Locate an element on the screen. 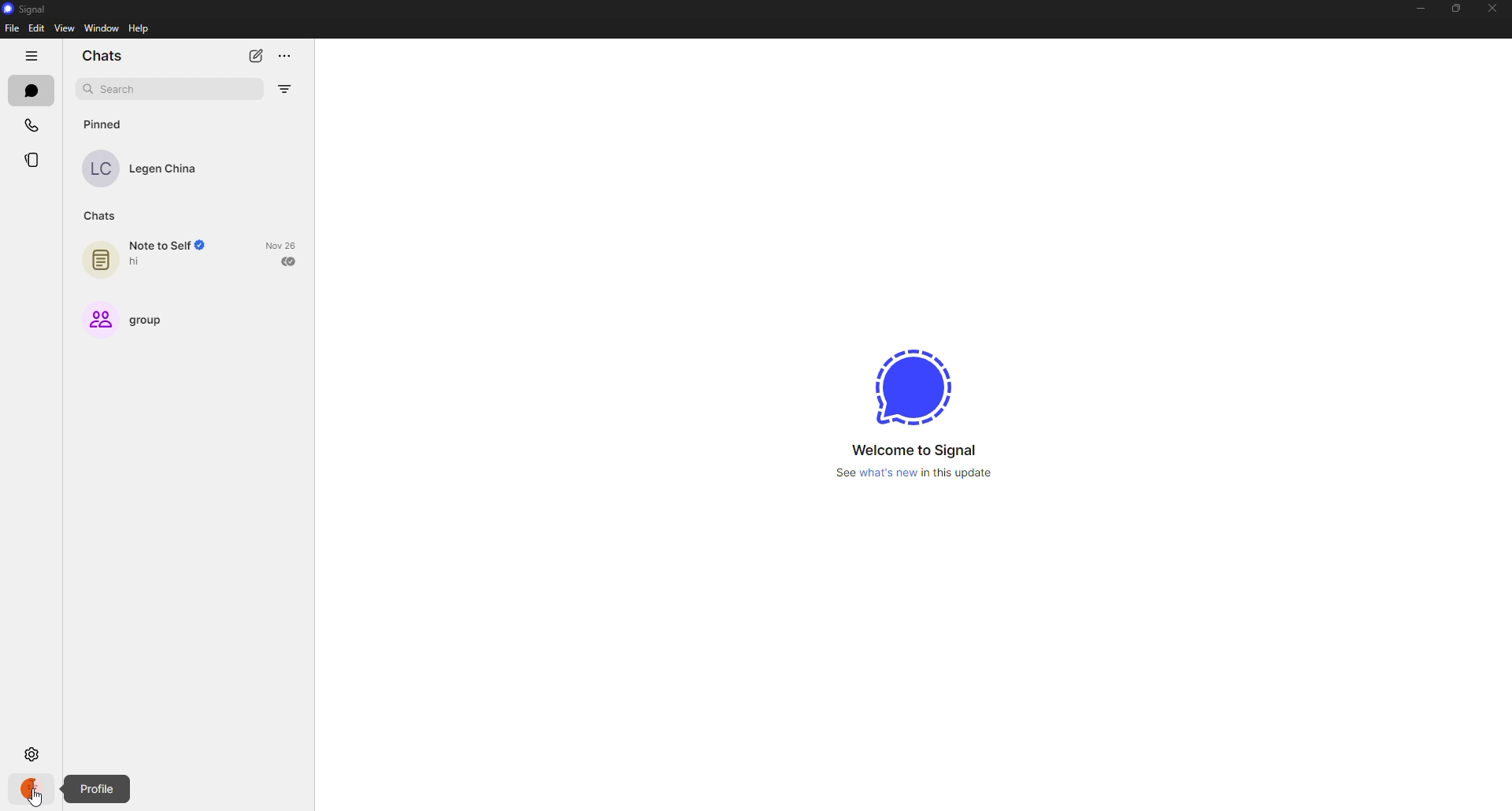 The image size is (1512, 811). maximize is located at coordinates (1454, 9).